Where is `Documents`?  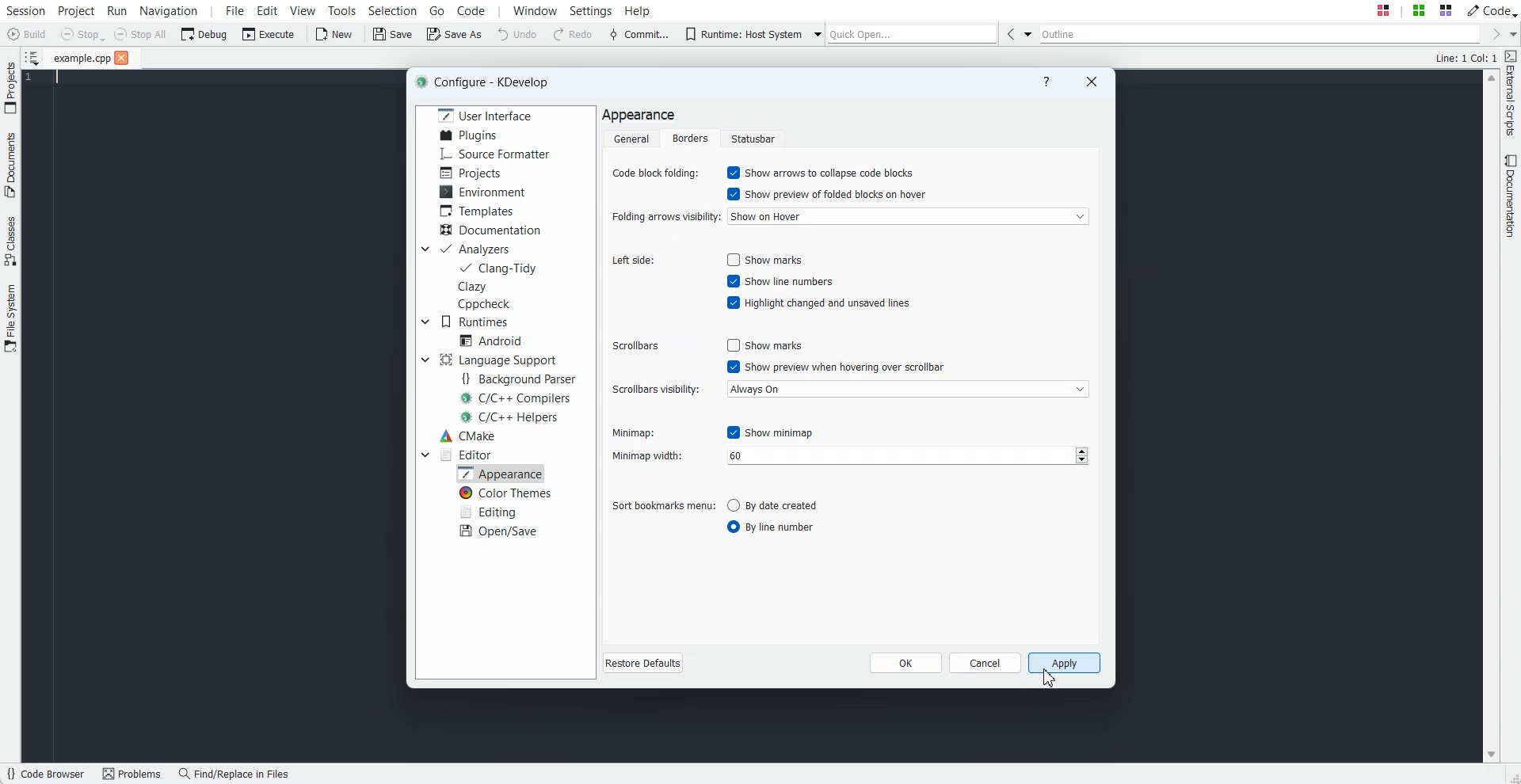 Documents is located at coordinates (10, 165).